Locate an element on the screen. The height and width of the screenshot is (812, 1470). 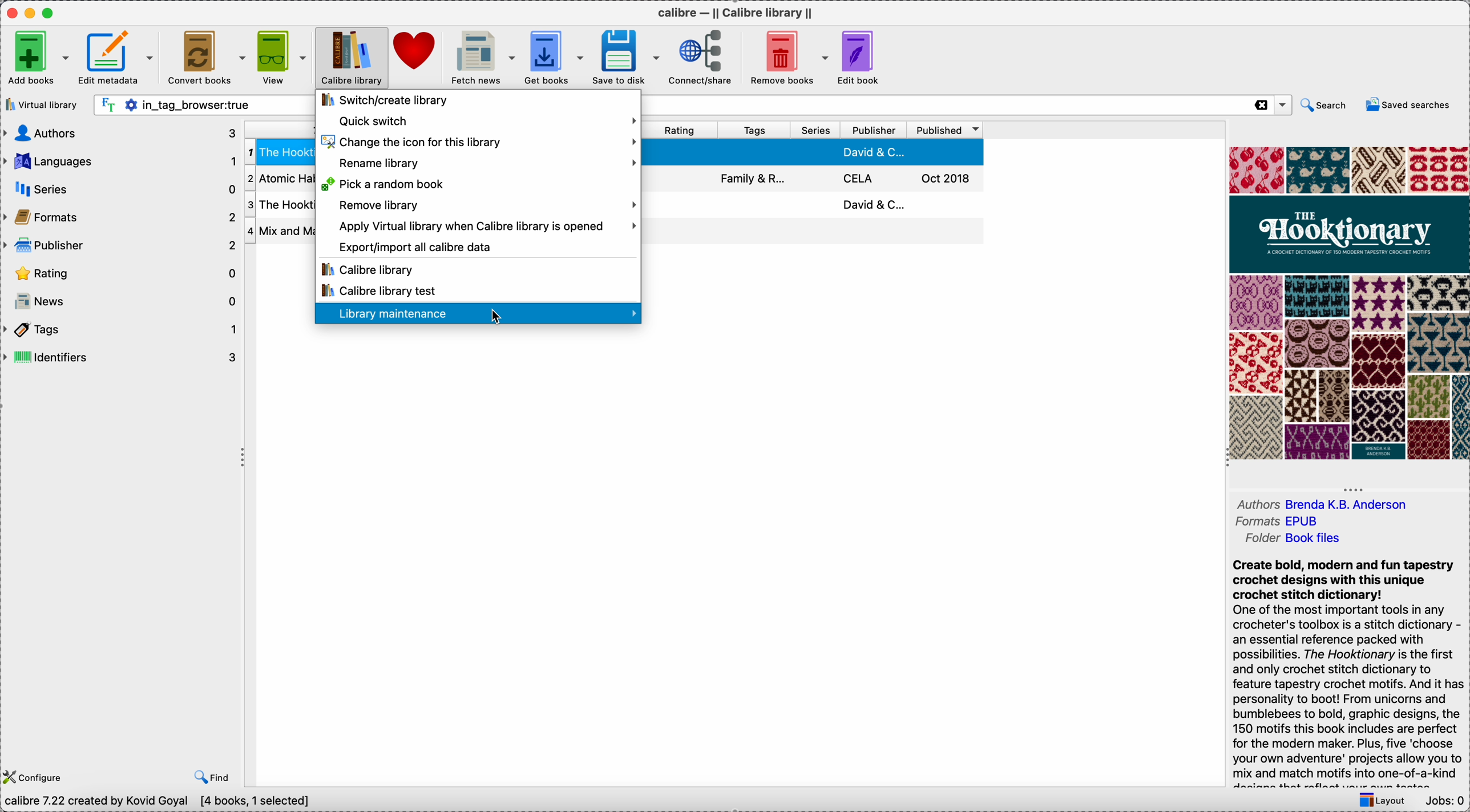
formats is located at coordinates (1282, 522).